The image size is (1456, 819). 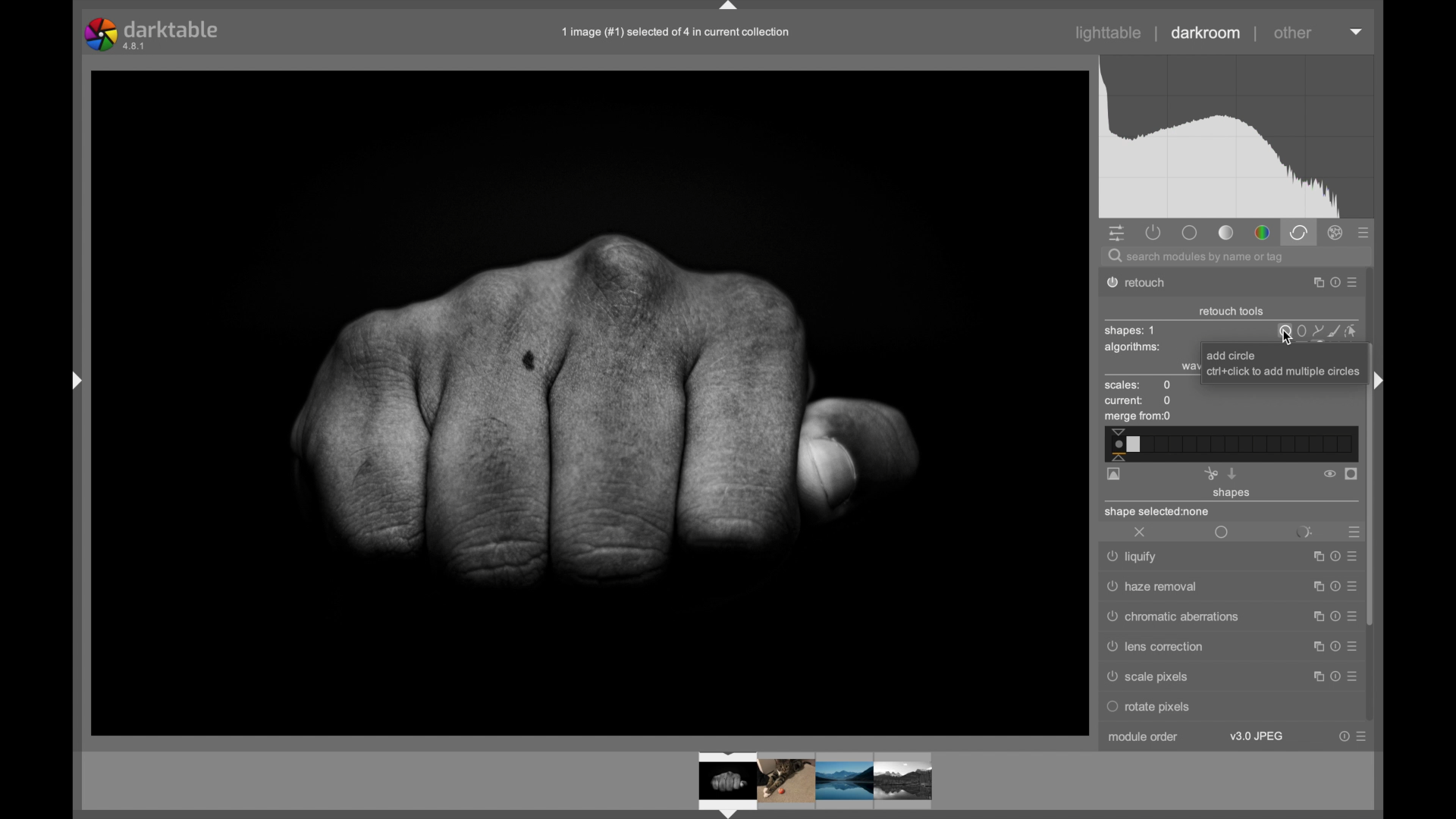 I want to click on module order, so click(x=1144, y=737).